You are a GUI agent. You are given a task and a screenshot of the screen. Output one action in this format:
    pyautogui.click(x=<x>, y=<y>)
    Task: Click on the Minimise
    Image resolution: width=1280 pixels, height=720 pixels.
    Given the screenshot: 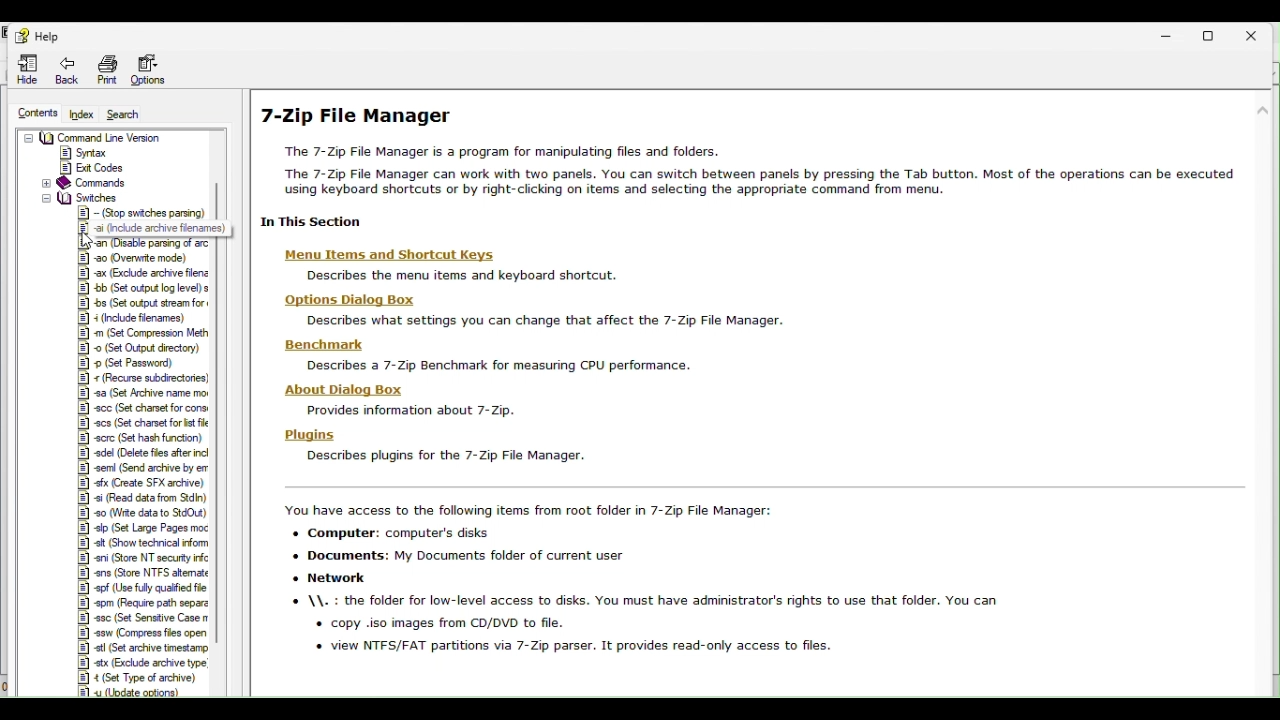 What is the action you would take?
    pyautogui.click(x=1176, y=33)
    